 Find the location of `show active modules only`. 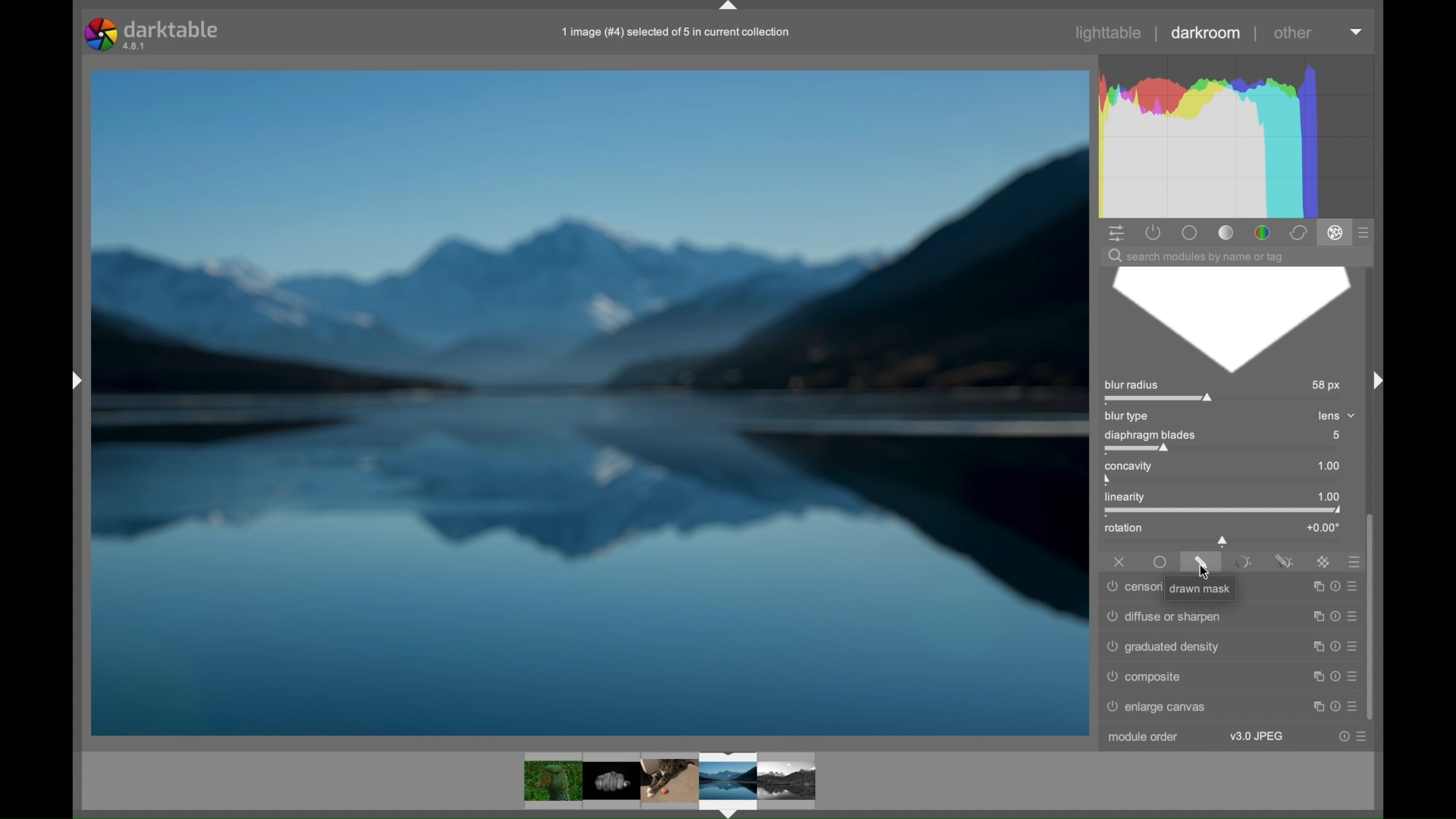

show active modules only is located at coordinates (1153, 232).